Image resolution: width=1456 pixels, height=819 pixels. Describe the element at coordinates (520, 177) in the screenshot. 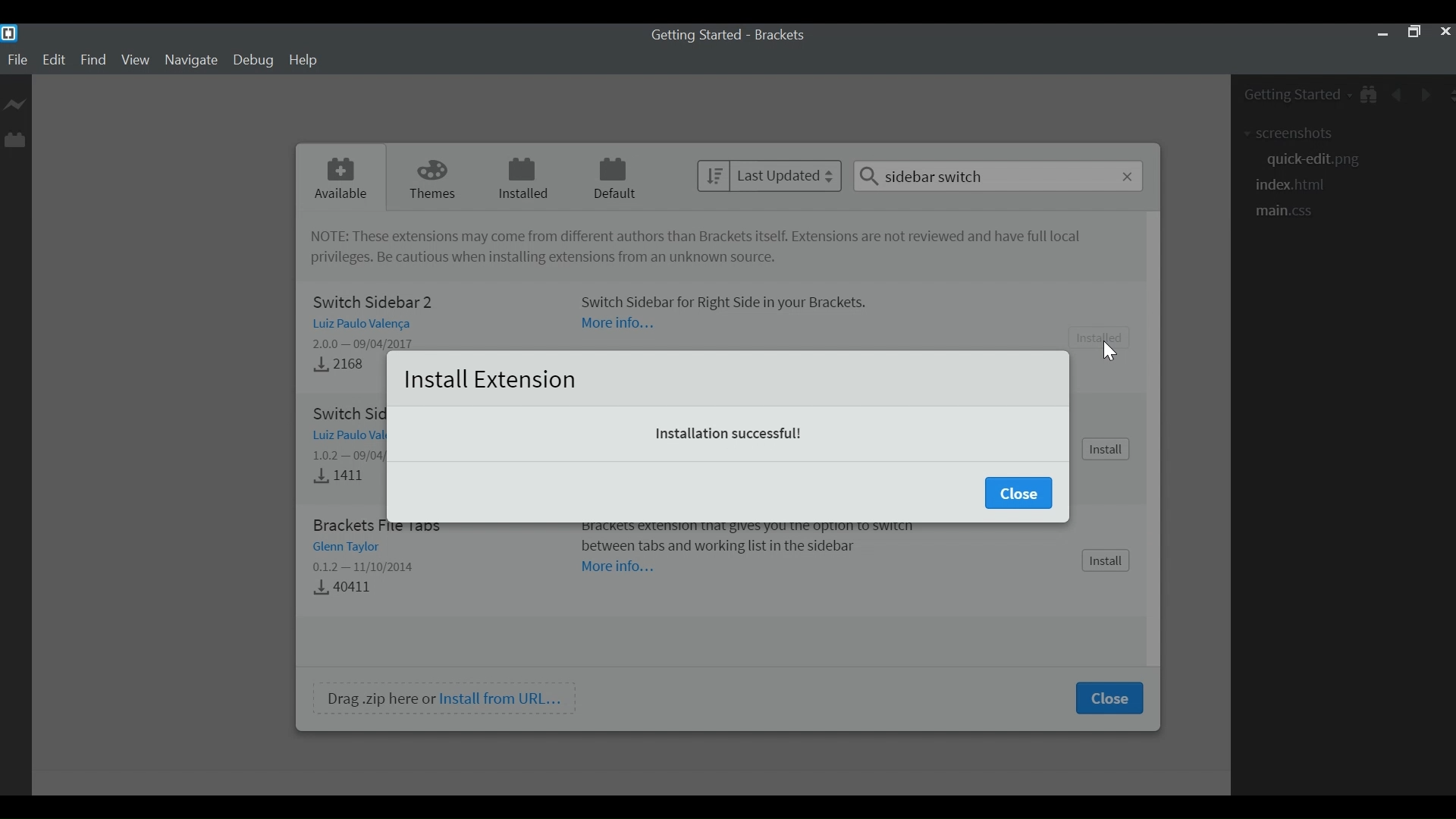

I see `Installed` at that location.